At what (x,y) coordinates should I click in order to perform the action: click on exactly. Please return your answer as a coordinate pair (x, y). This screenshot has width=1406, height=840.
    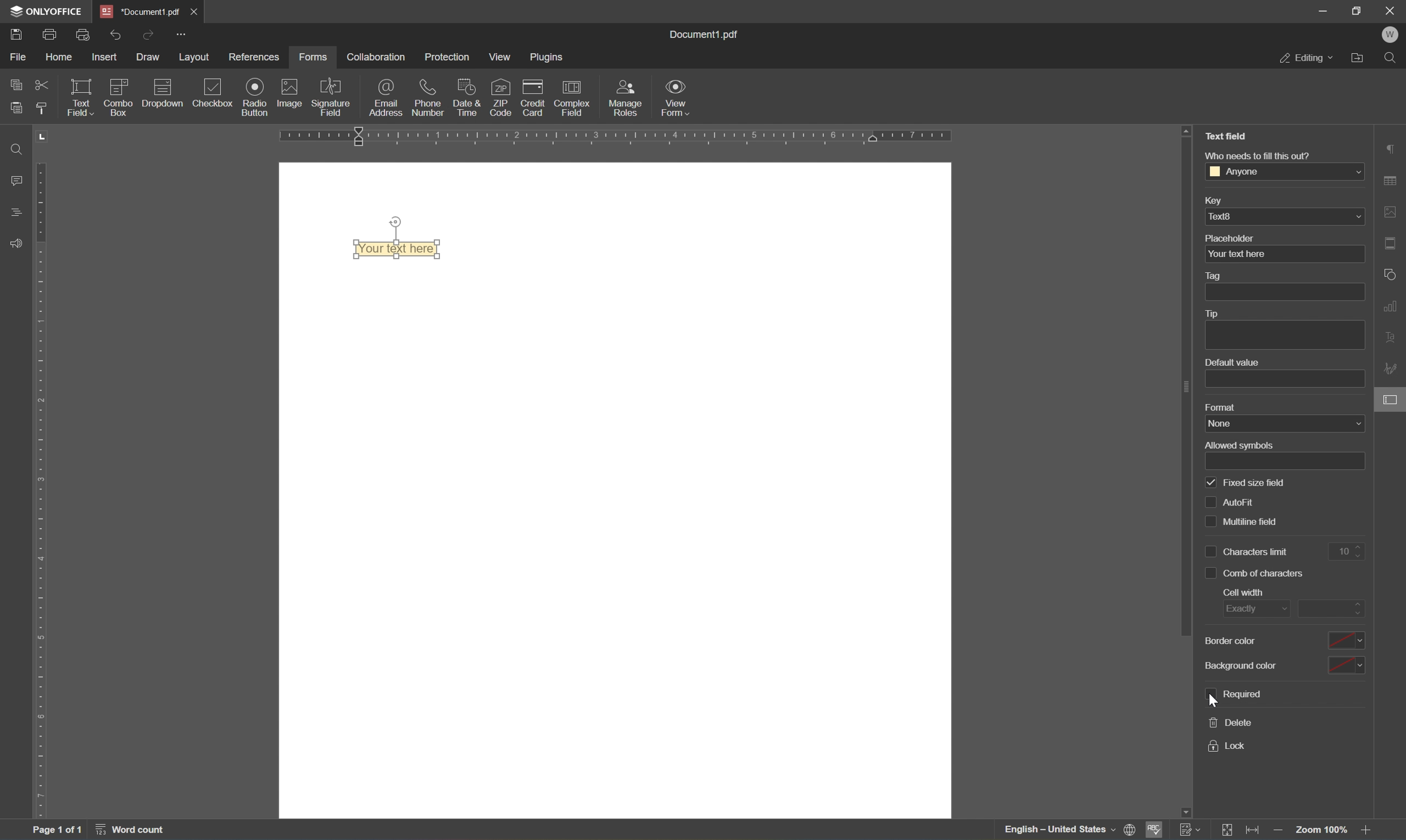
    Looking at the image, I should click on (1259, 607).